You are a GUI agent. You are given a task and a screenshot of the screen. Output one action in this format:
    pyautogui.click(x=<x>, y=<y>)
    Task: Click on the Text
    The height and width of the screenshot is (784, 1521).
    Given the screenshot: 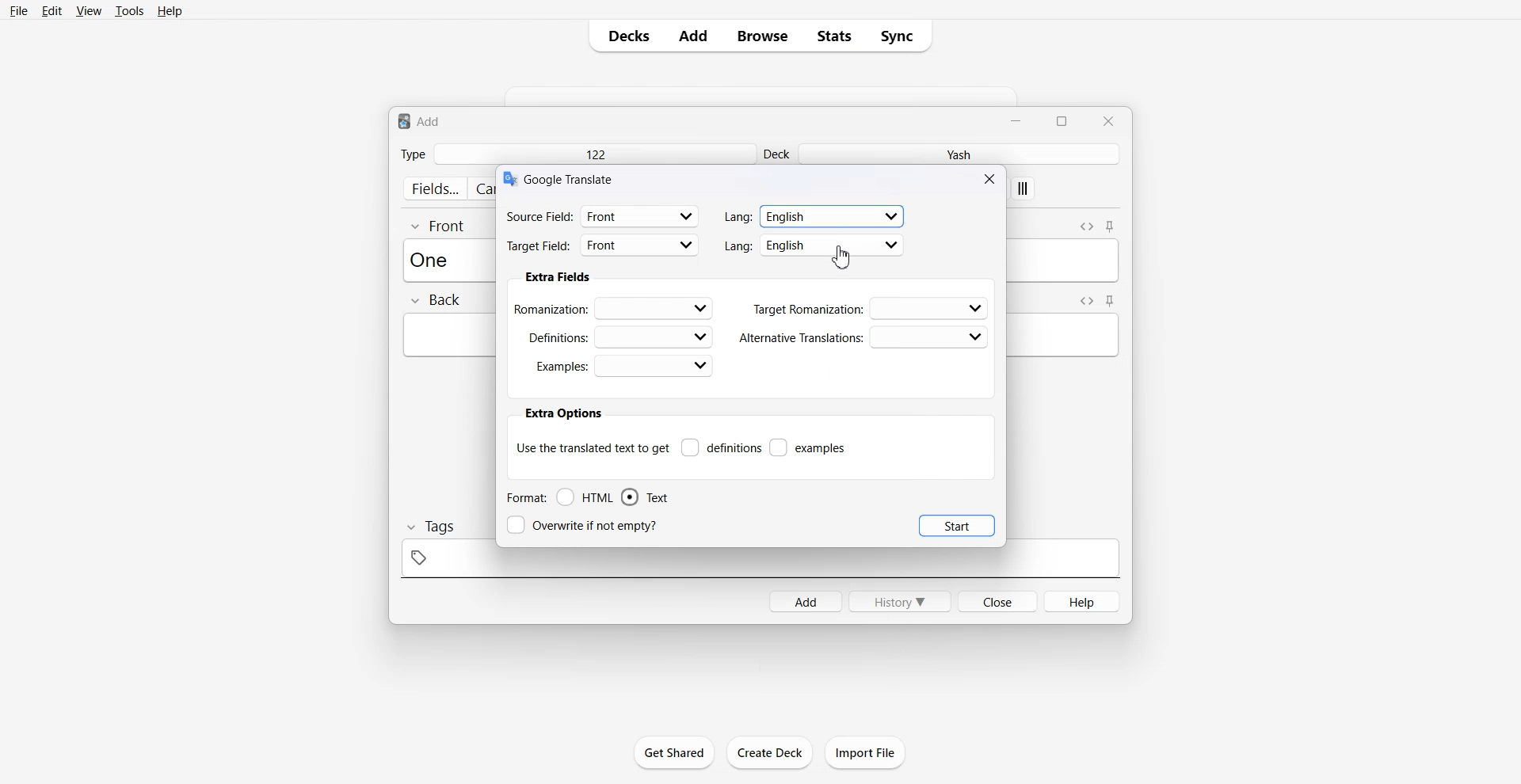 What is the action you would take?
    pyautogui.click(x=645, y=497)
    